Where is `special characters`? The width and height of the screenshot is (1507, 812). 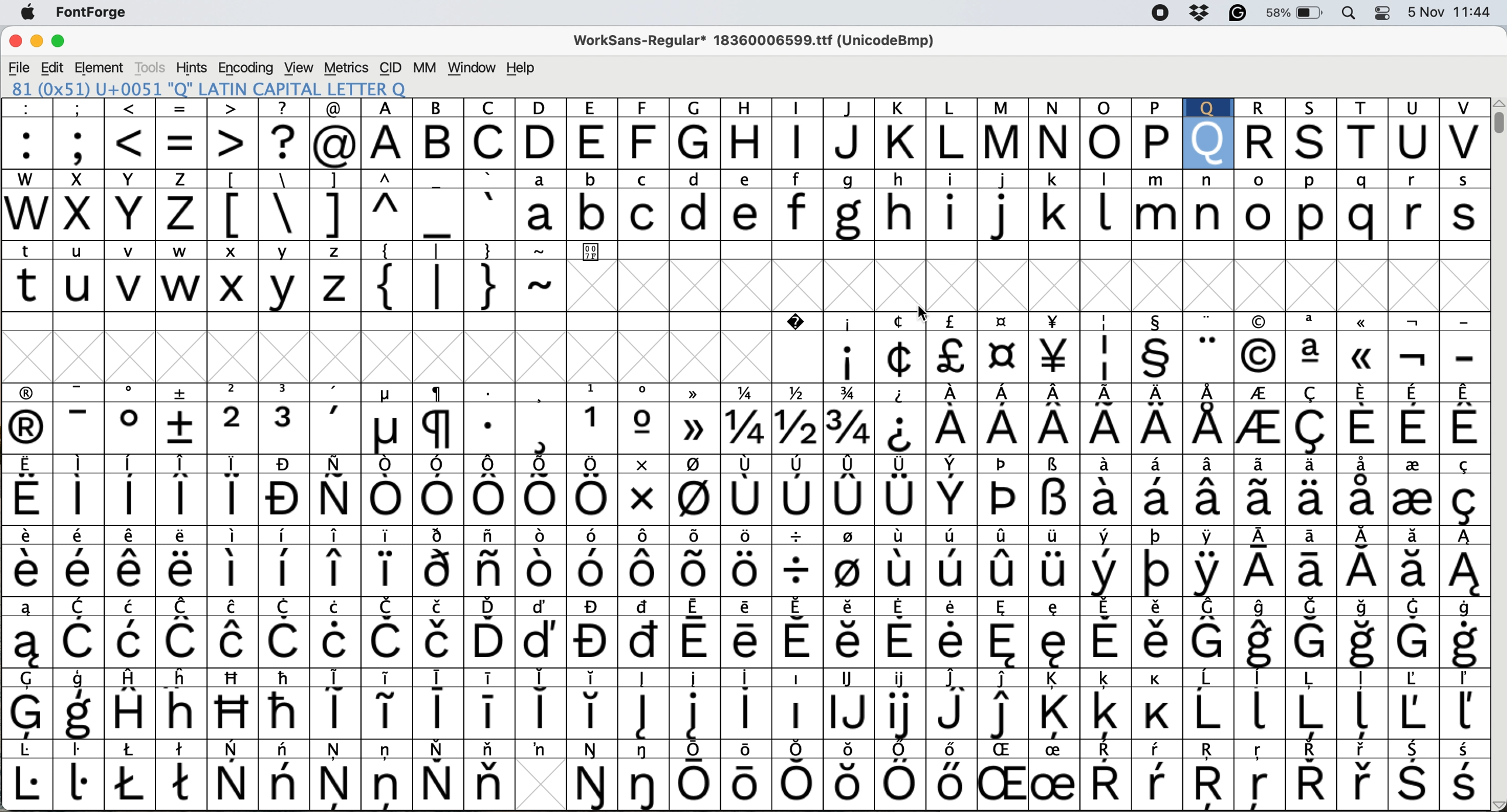
special characters is located at coordinates (190, 145).